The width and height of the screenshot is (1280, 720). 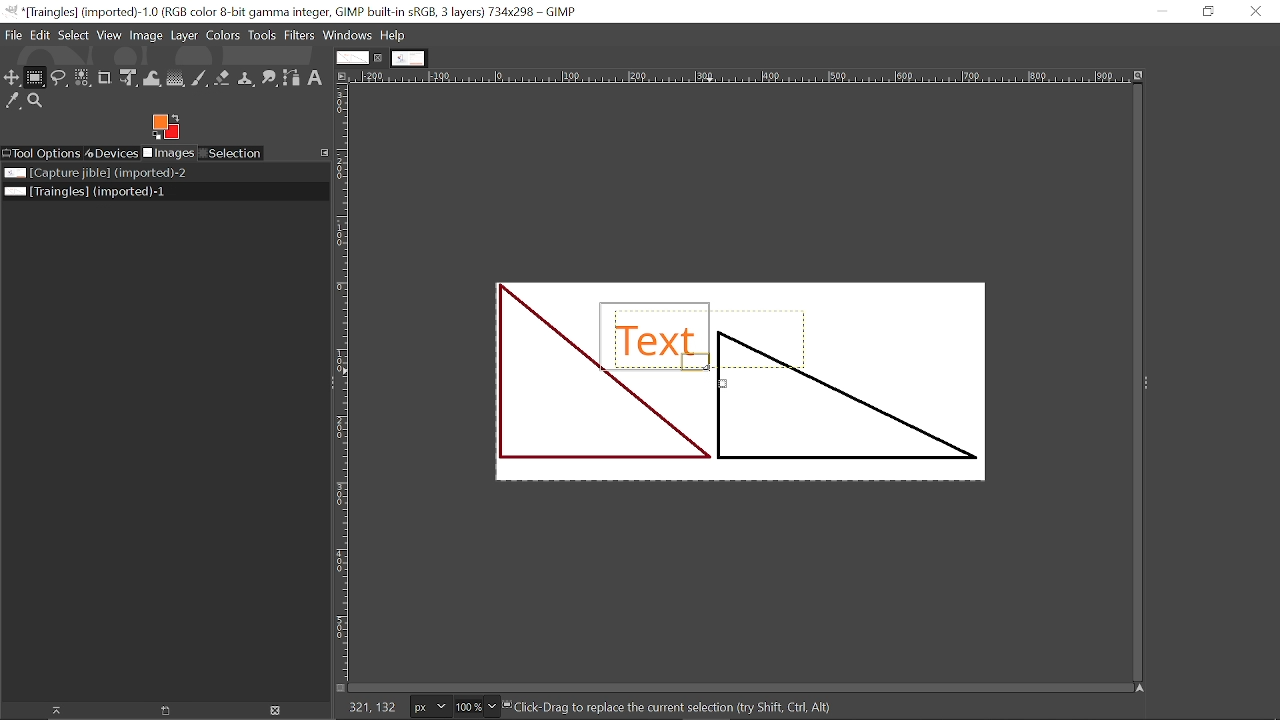 What do you see at coordinates (379, 57) in the screenshot?
I see `Close current tab` at bounding box center [379, 57].